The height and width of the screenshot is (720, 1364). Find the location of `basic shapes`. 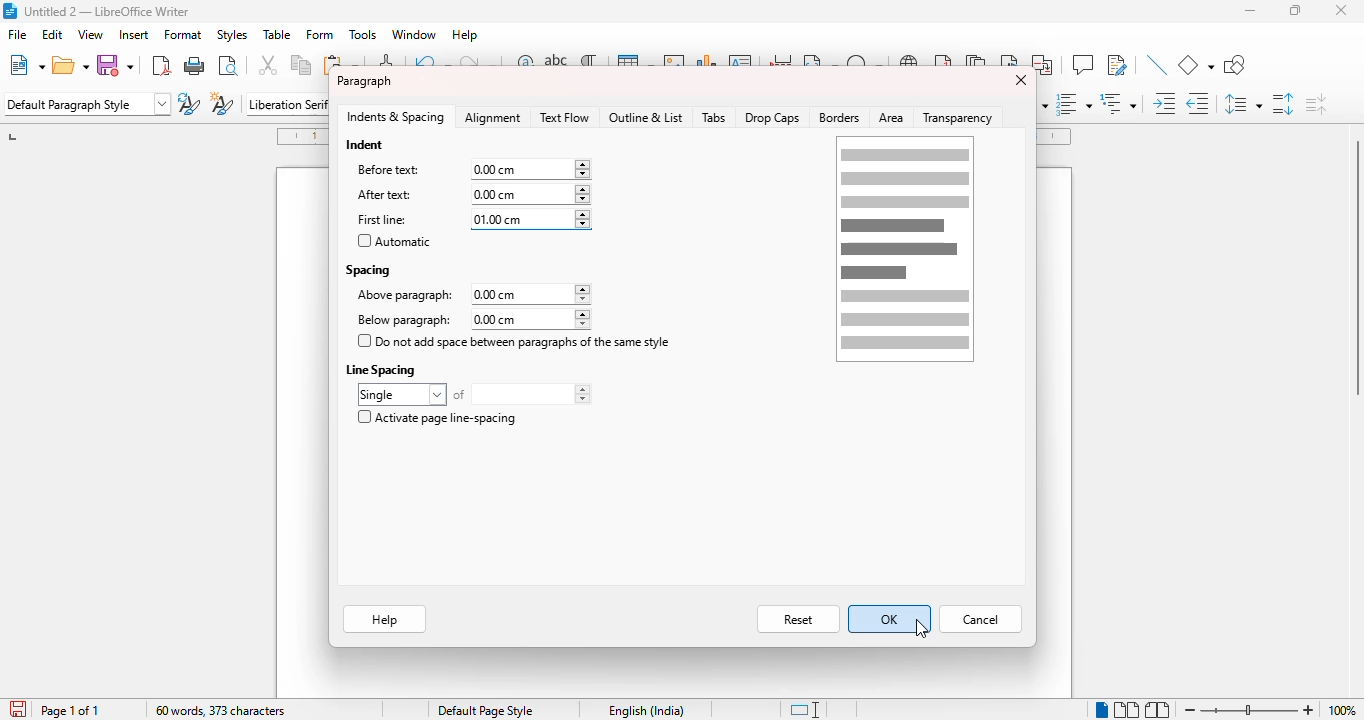

basic shapes is located at coordinates (1196, 65).